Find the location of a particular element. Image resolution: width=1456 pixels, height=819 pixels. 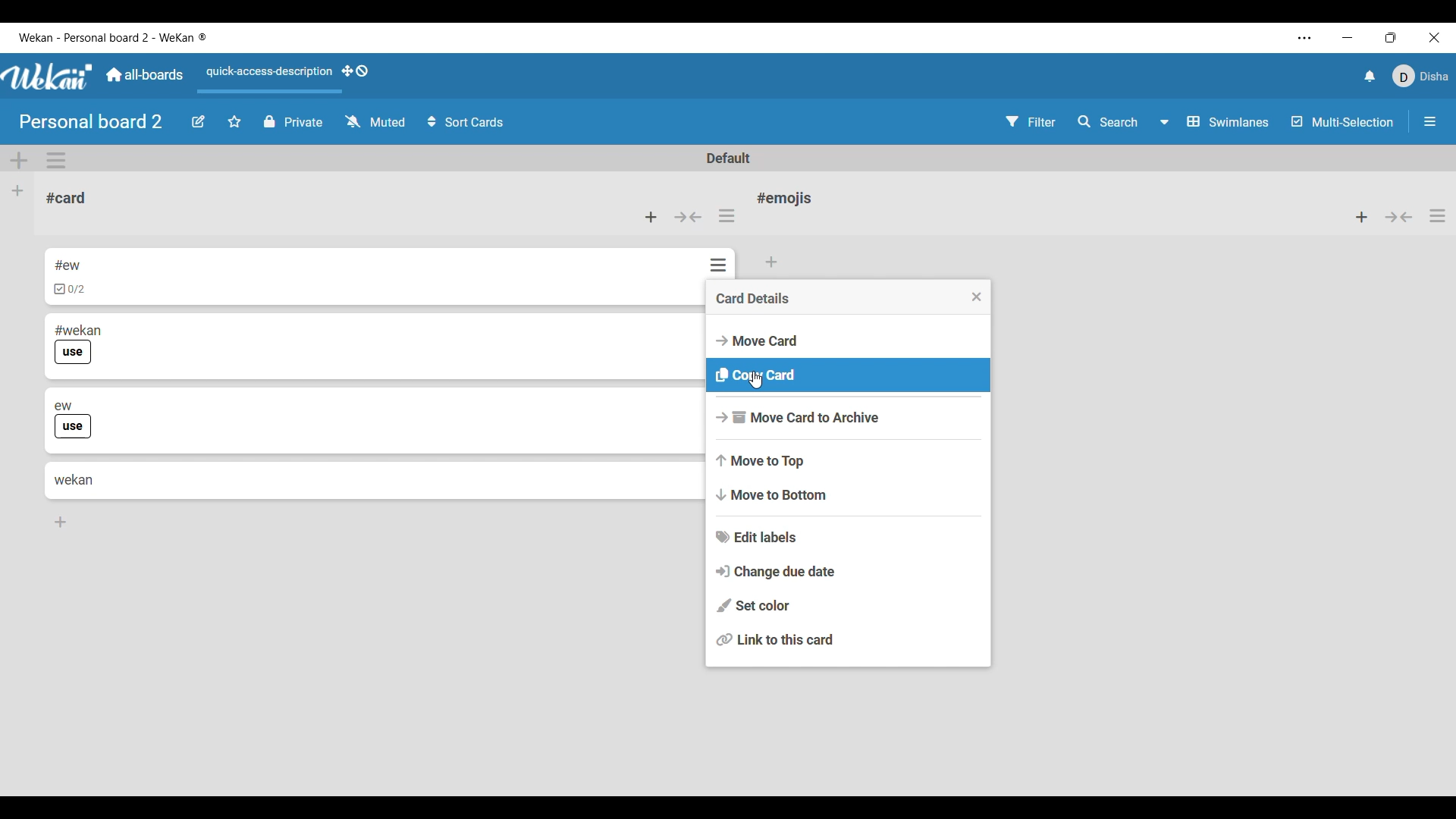

Close menu is located at coordinates (977, 297).